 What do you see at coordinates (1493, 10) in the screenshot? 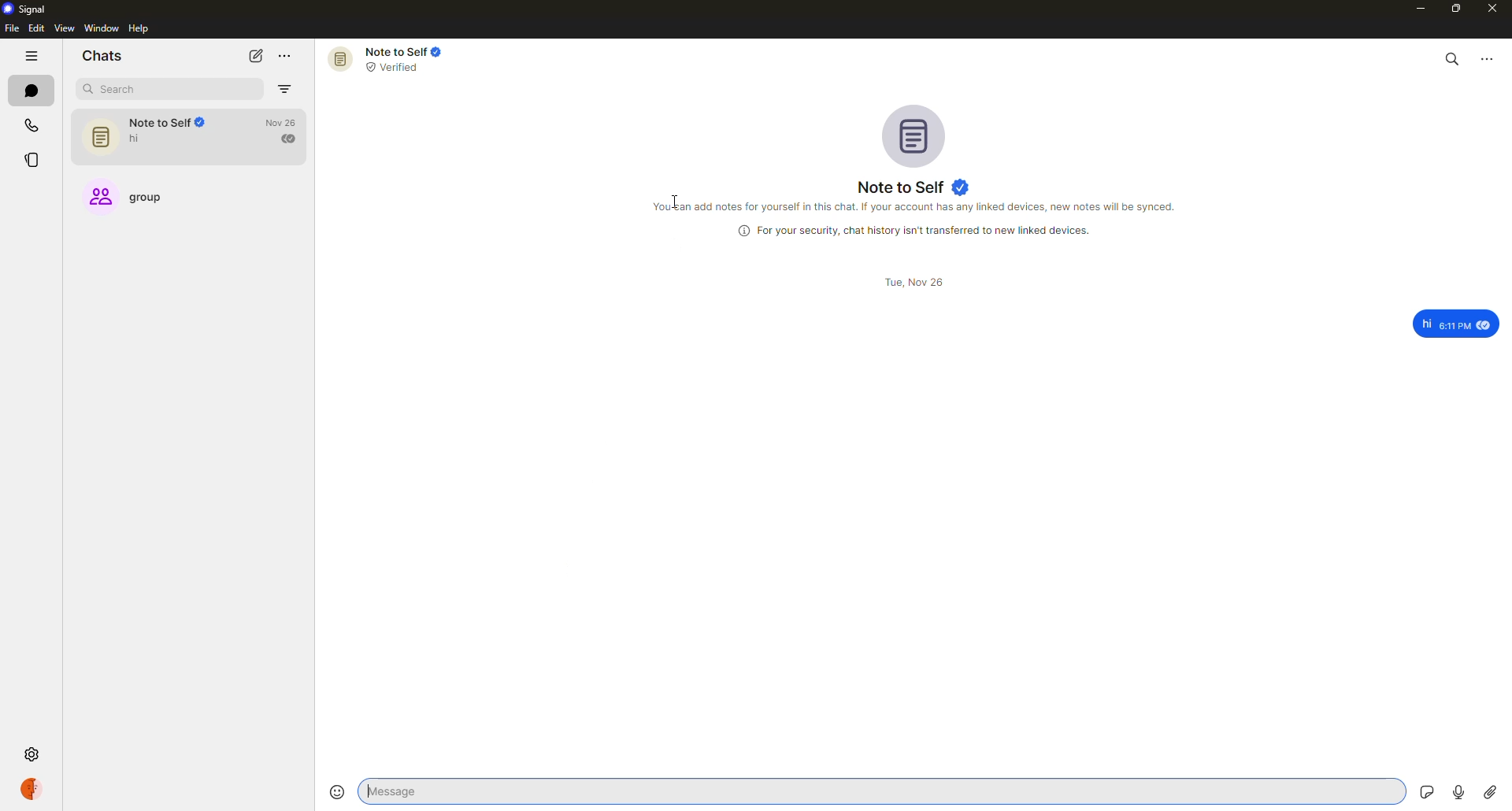
I see `close` at bounding box center [1493, 10].